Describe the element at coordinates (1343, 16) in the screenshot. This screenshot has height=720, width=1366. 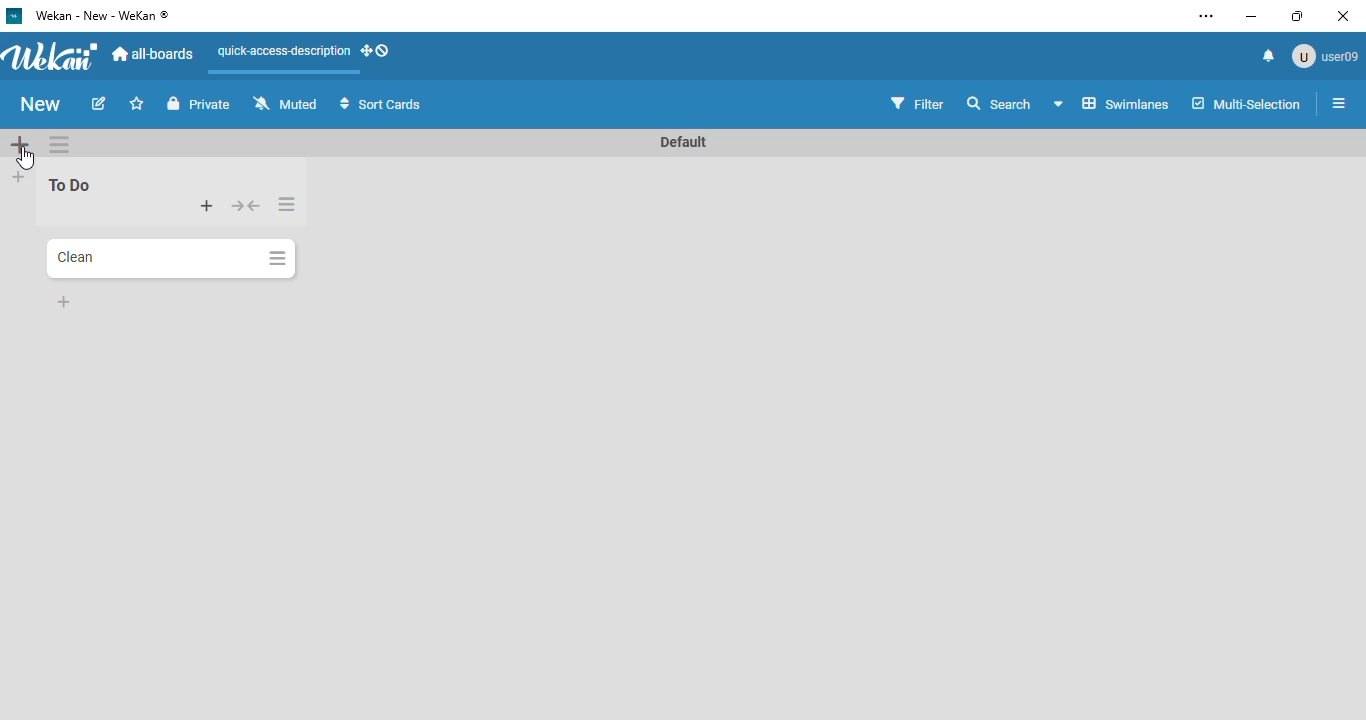
I see `close` at that location.